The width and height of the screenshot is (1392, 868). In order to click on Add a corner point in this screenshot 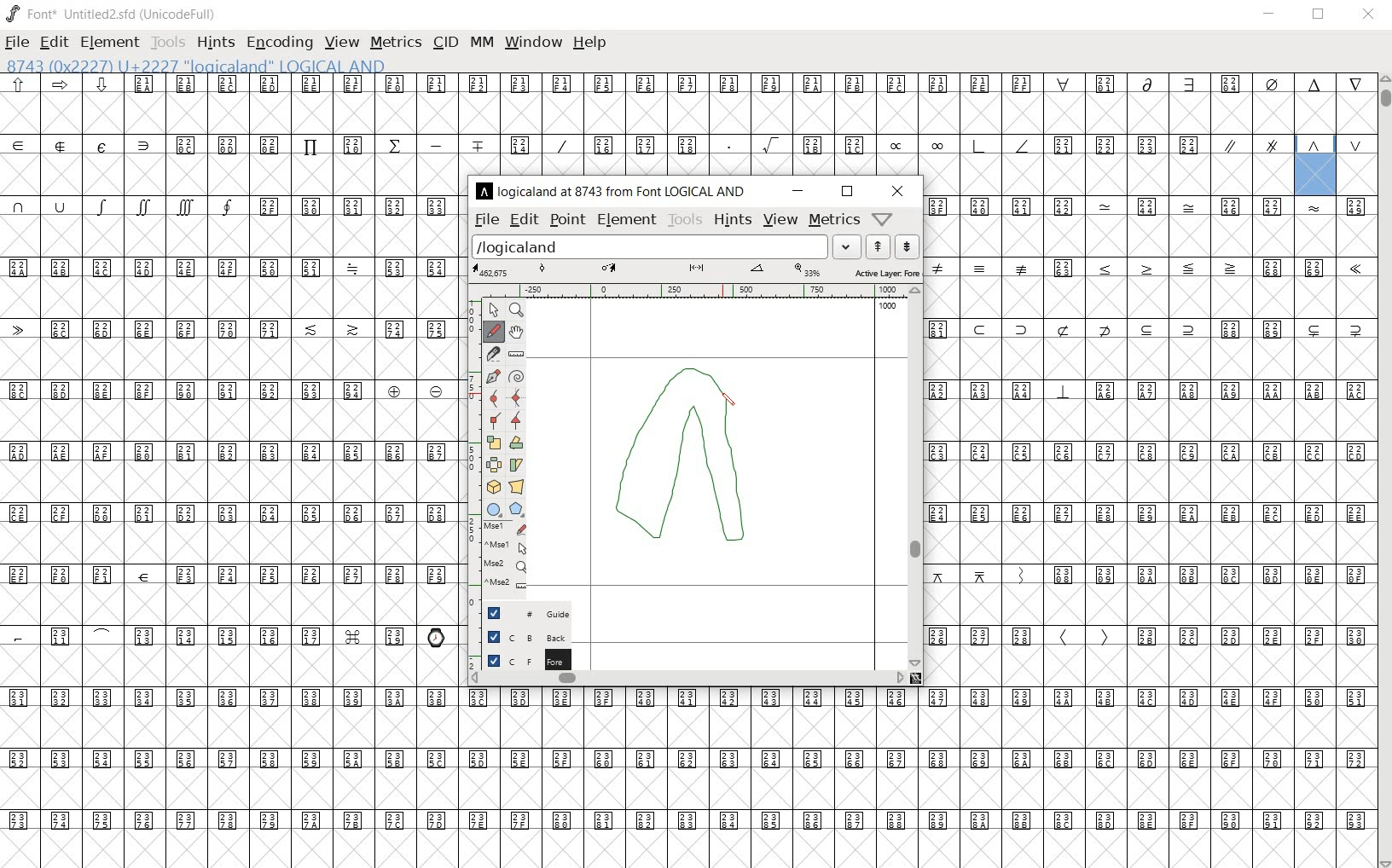, I will do `click(517, 420)`.